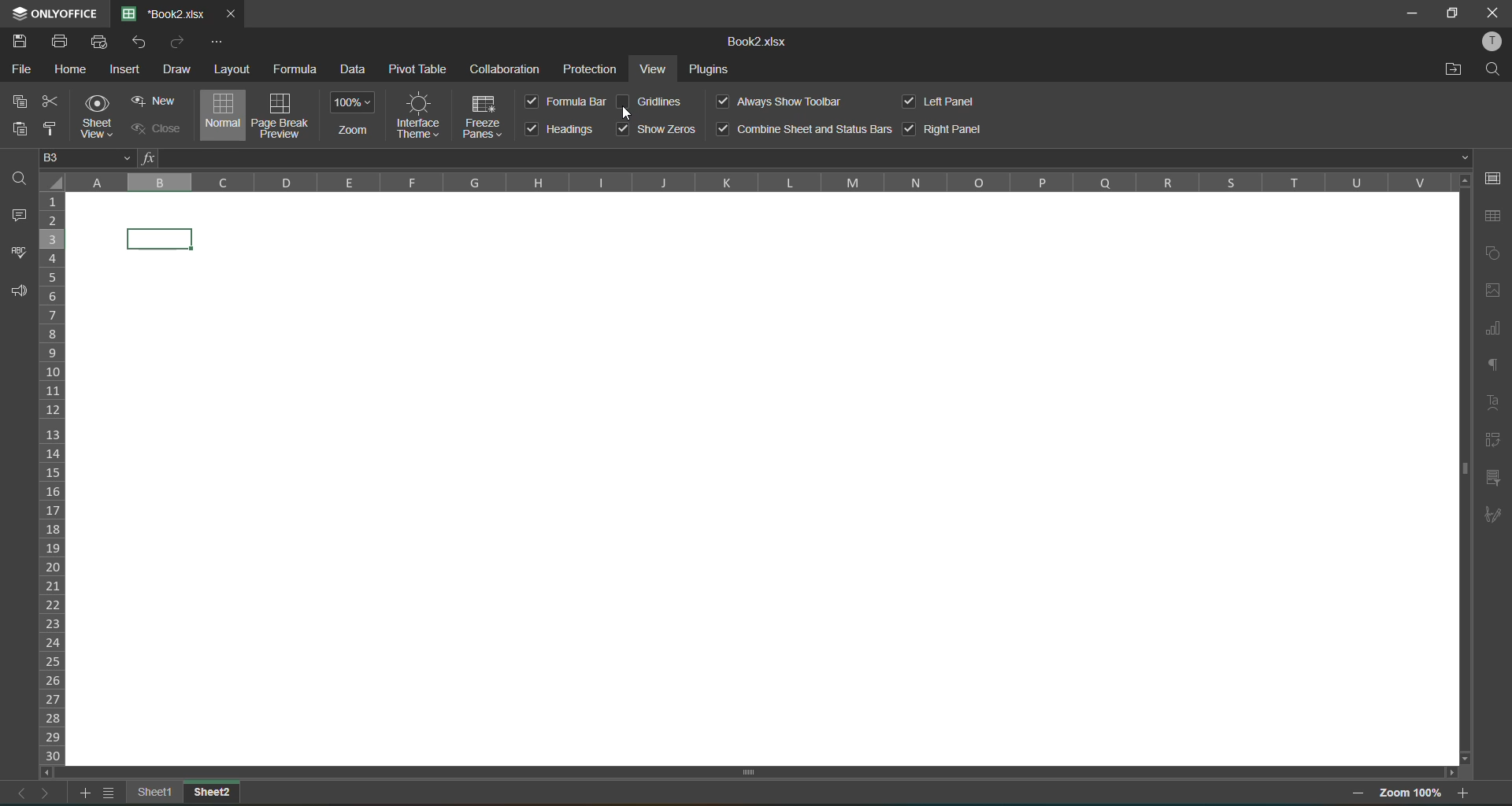 The image size is (1512, 806). I want to click on row numbers, so click(56, 476).